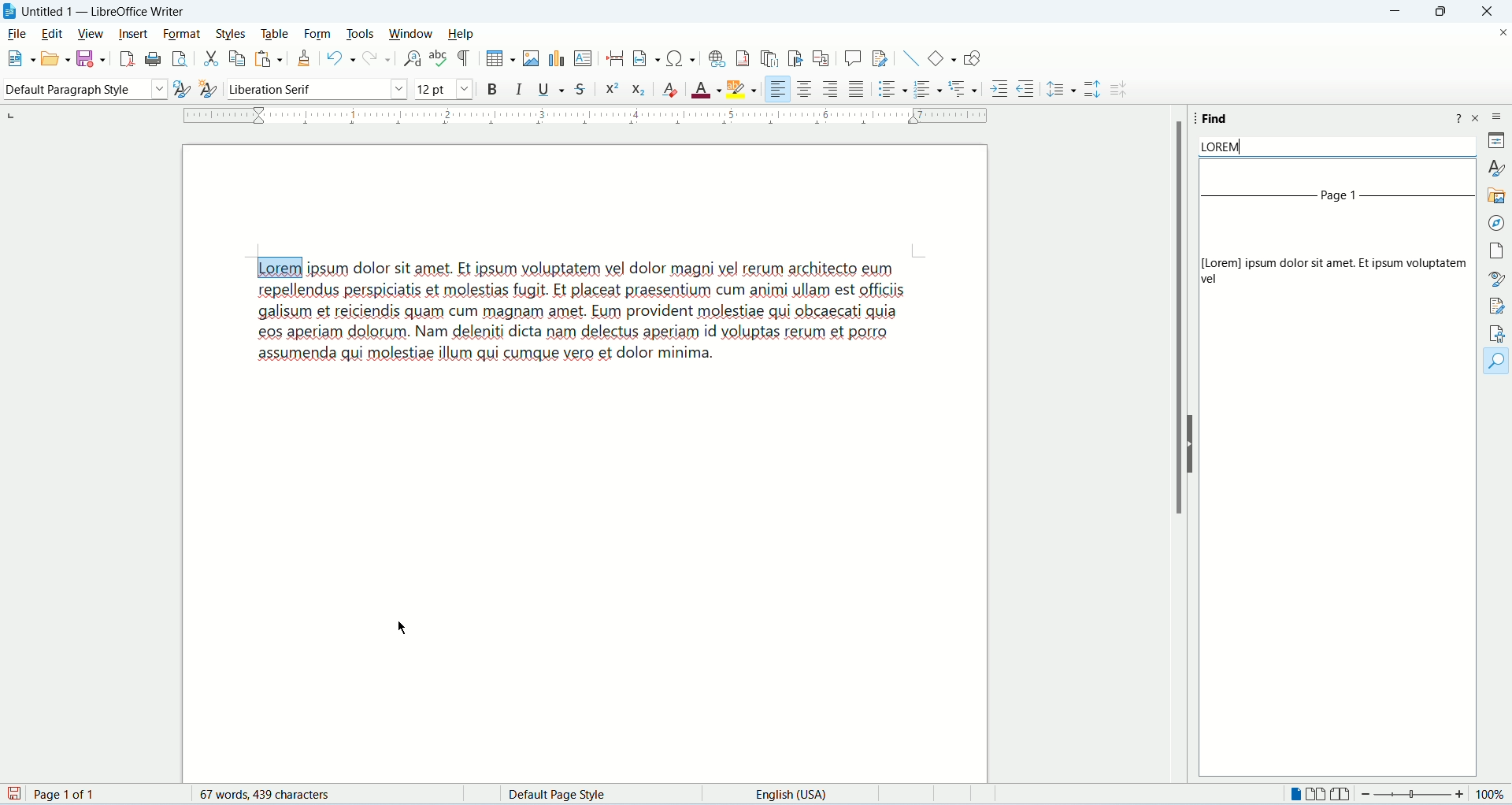 Image resolution: width=1512 pixels, height=805 pixels. I want to click on increase indent, so click(998, 89).